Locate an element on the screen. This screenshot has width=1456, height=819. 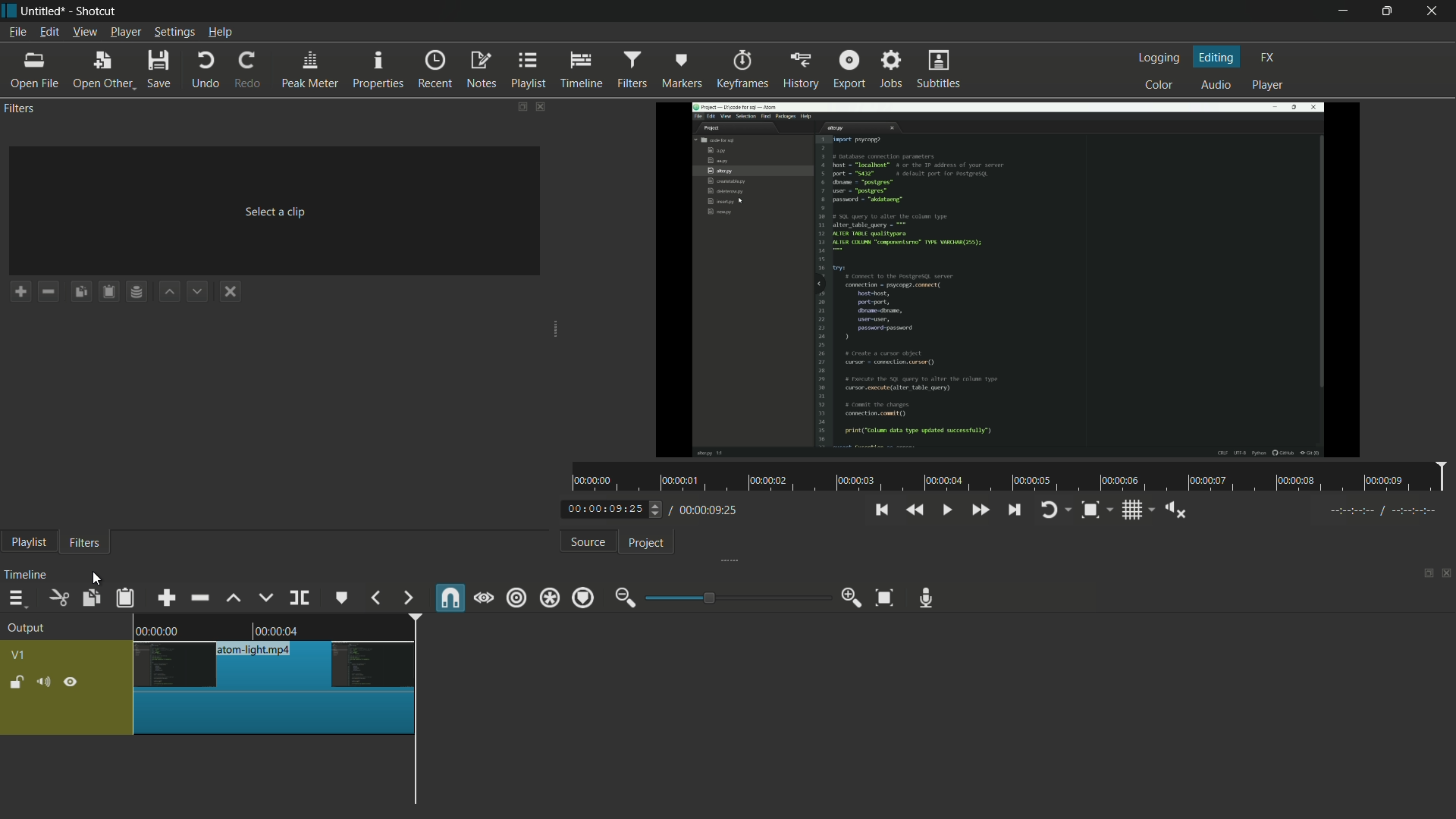
skip to the next point is located at coordinates (1016, 511).